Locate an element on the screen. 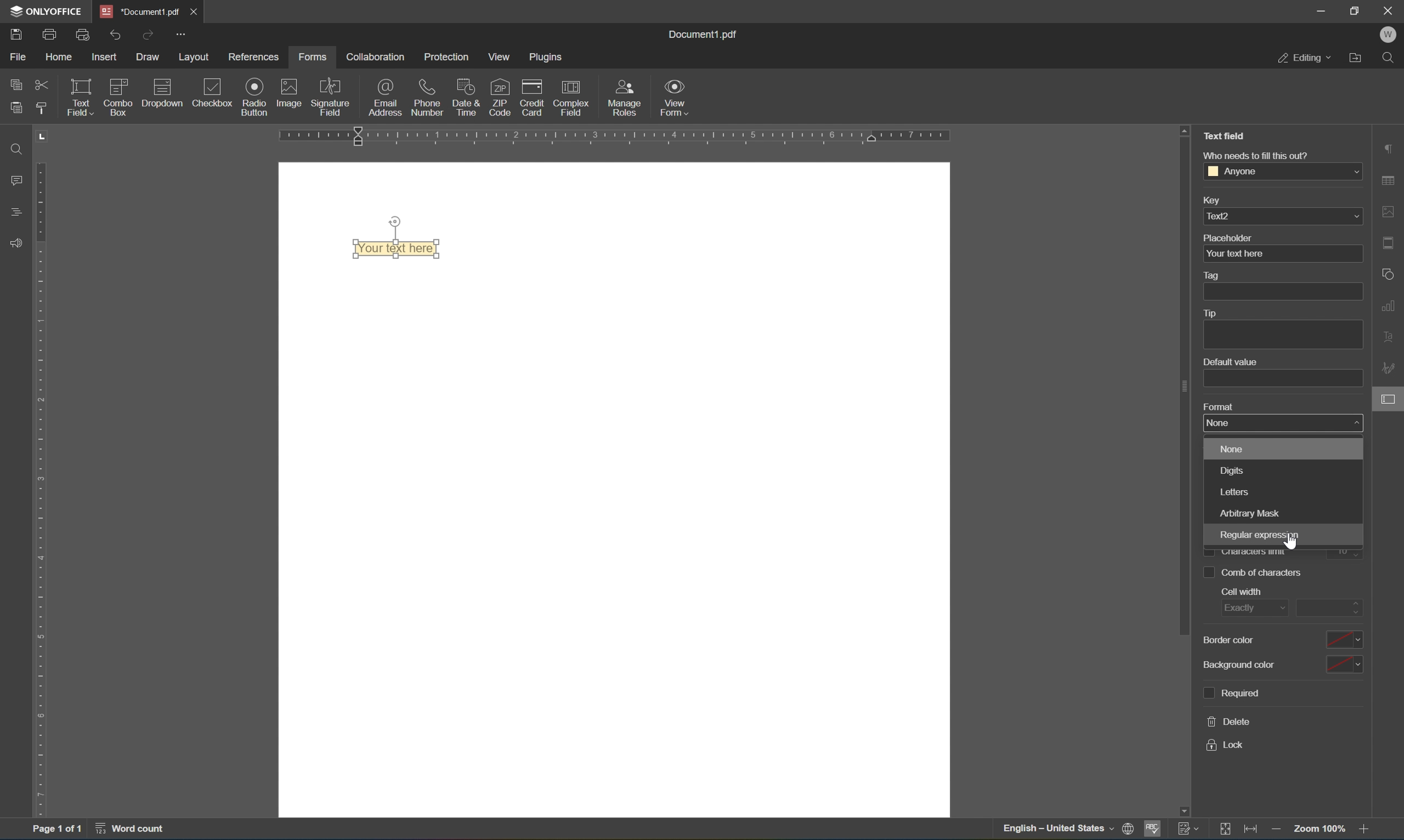 This screenshot has width=1404, height=840. color is located at coordinates (1345, 639).